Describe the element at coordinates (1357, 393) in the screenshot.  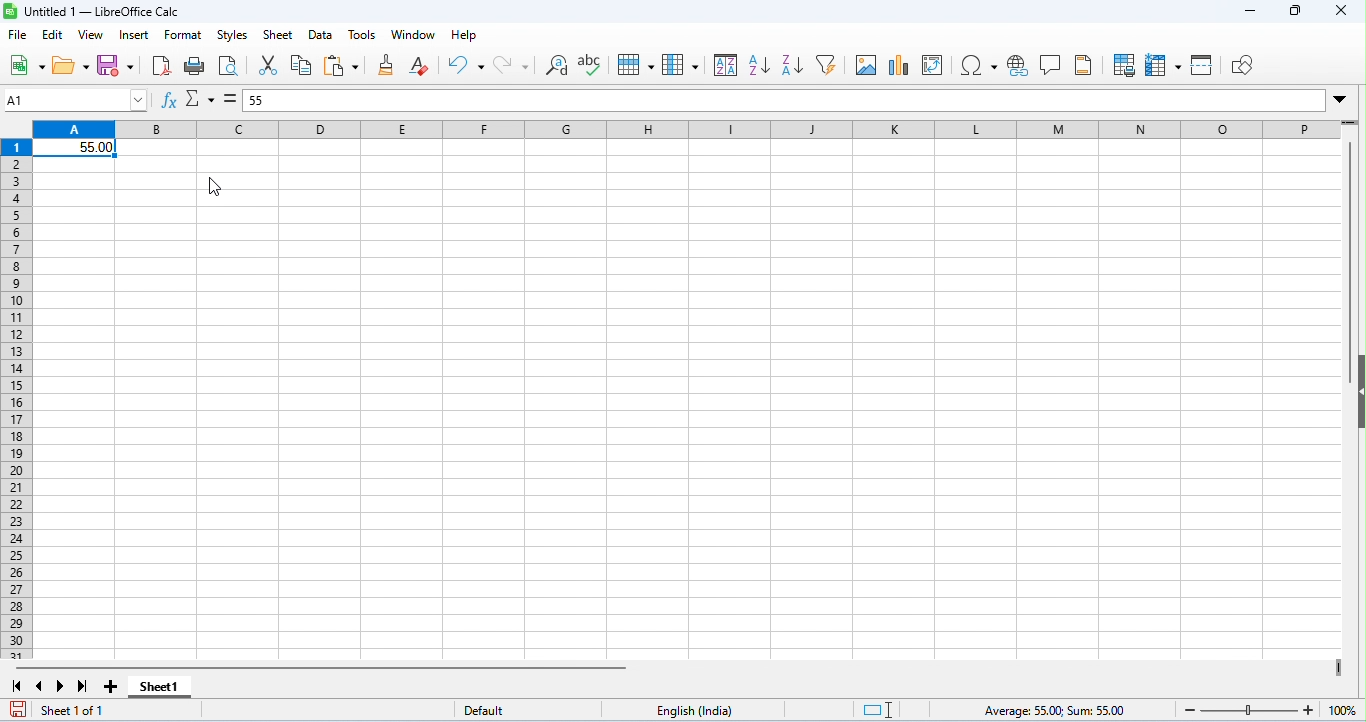
I see `hide` at that location.